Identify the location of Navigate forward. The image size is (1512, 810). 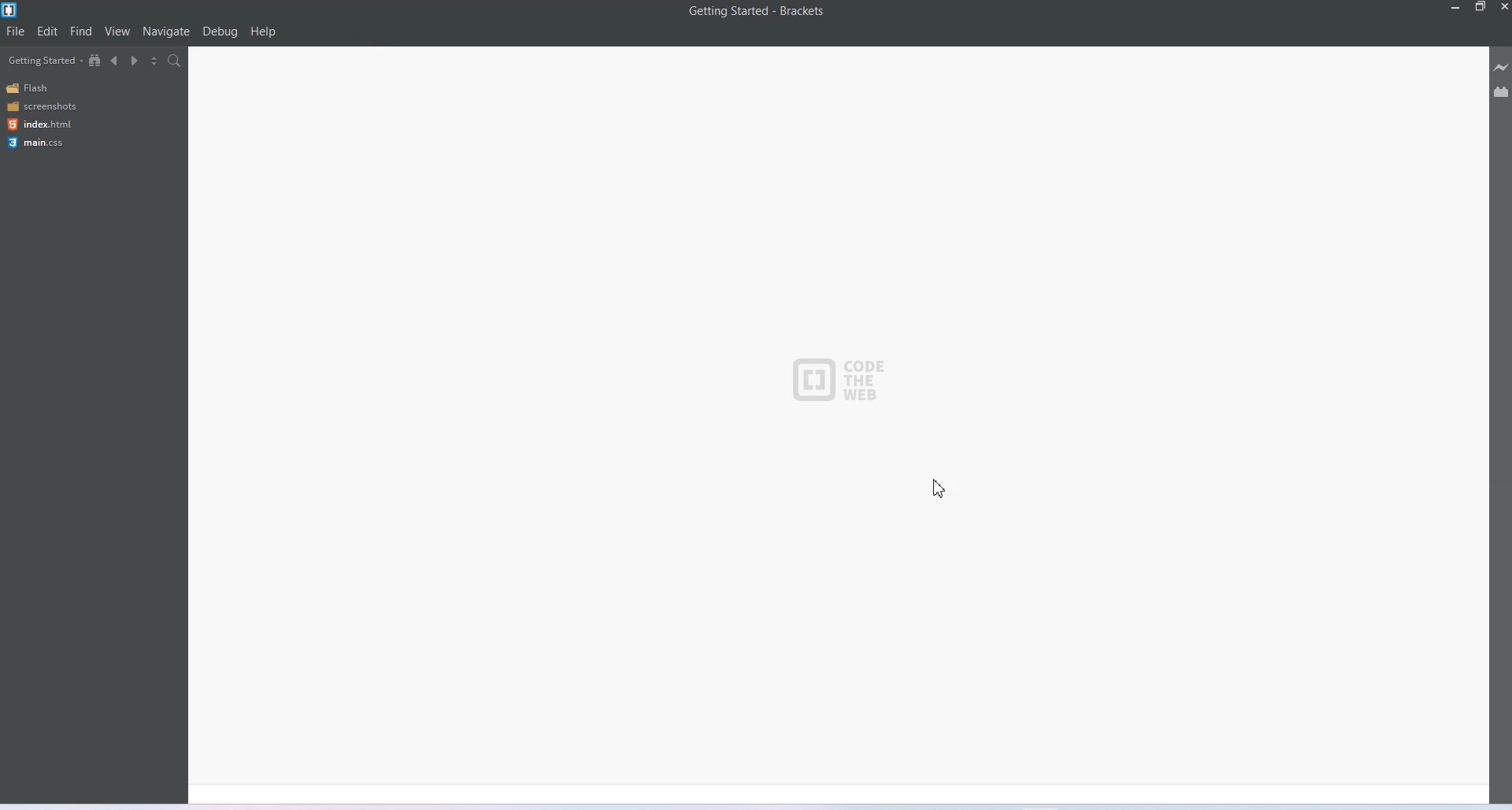
(135, 61).